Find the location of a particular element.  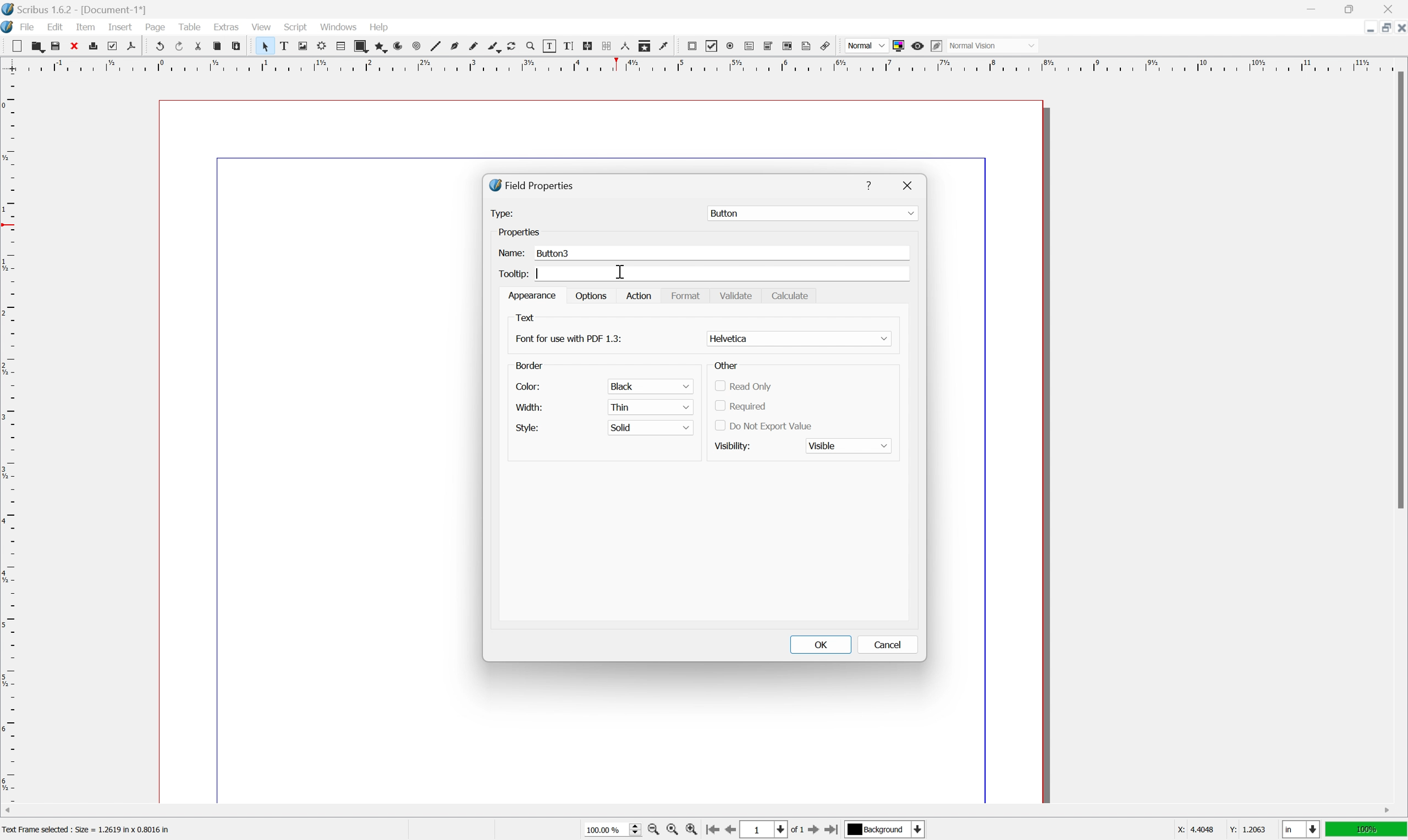

zoom out is located at coordinates (654, 830).